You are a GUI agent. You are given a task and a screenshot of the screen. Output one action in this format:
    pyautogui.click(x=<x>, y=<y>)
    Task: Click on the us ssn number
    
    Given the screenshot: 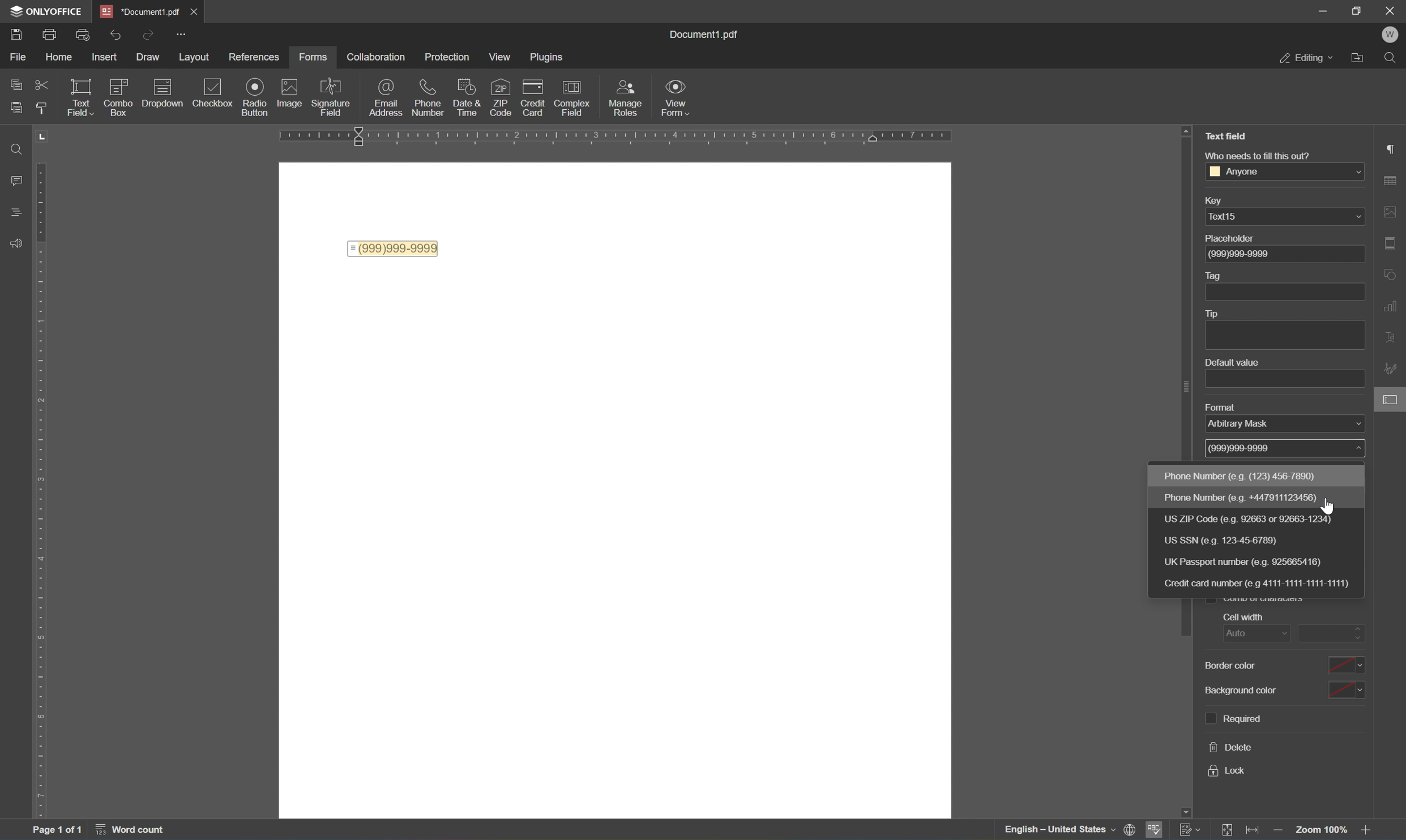 What is the action you would take?
    pyautogui.click(x=1243, y=540)
    